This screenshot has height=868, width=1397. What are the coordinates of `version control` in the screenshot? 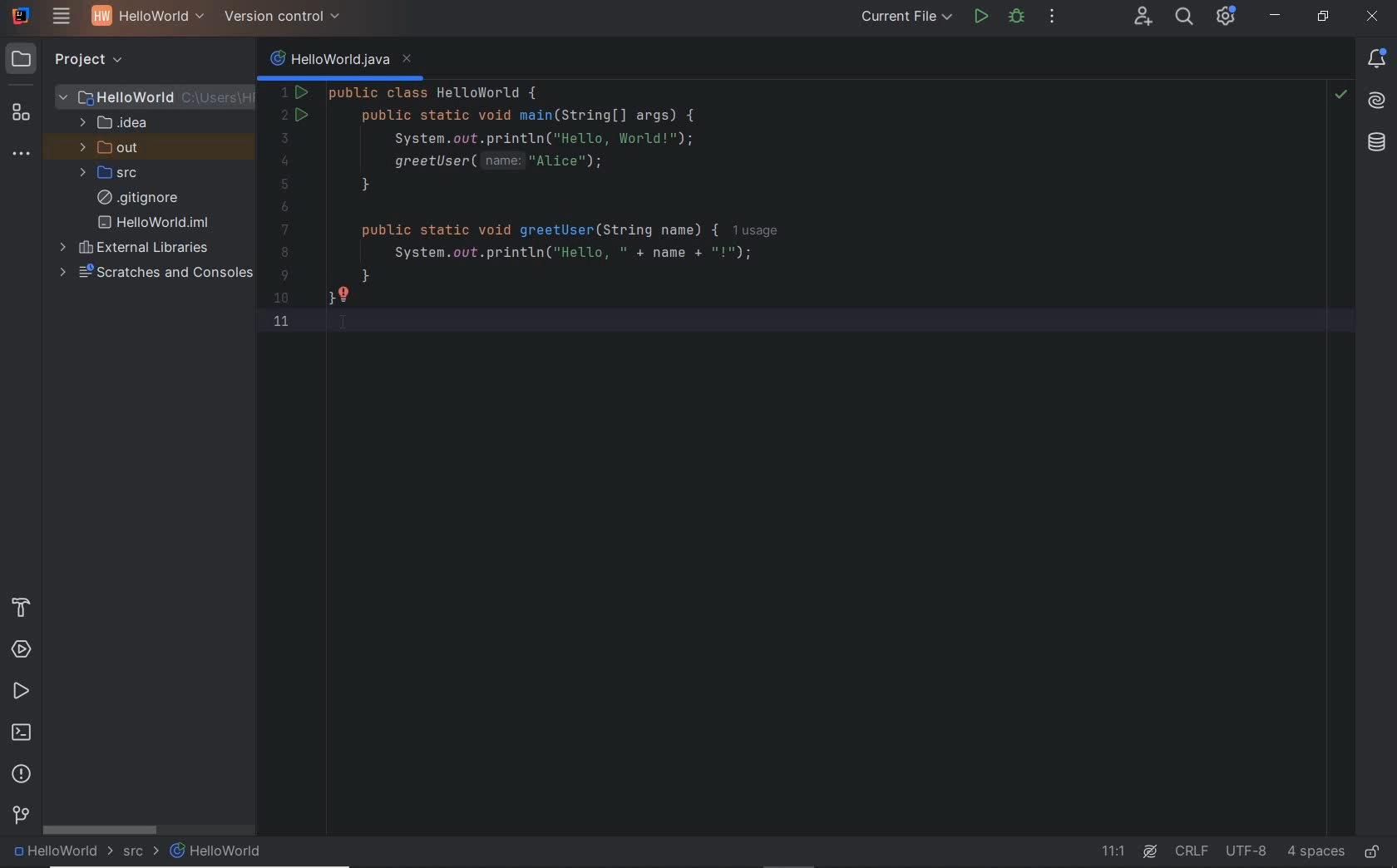 It's located at (21, 817).